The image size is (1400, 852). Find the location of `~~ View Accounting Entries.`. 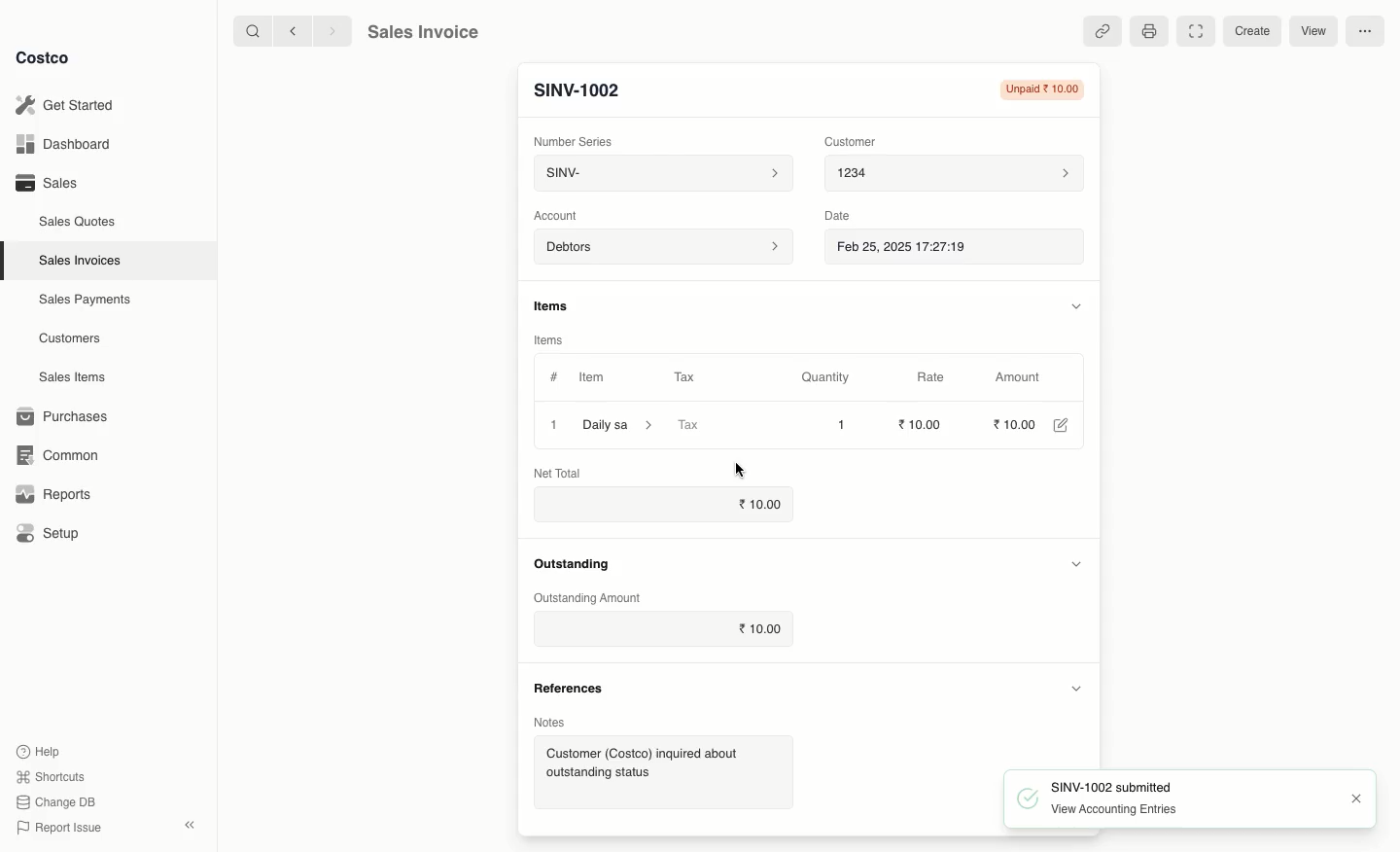

~~ View Accounting Entries. is located at coordinates (1104, 809).